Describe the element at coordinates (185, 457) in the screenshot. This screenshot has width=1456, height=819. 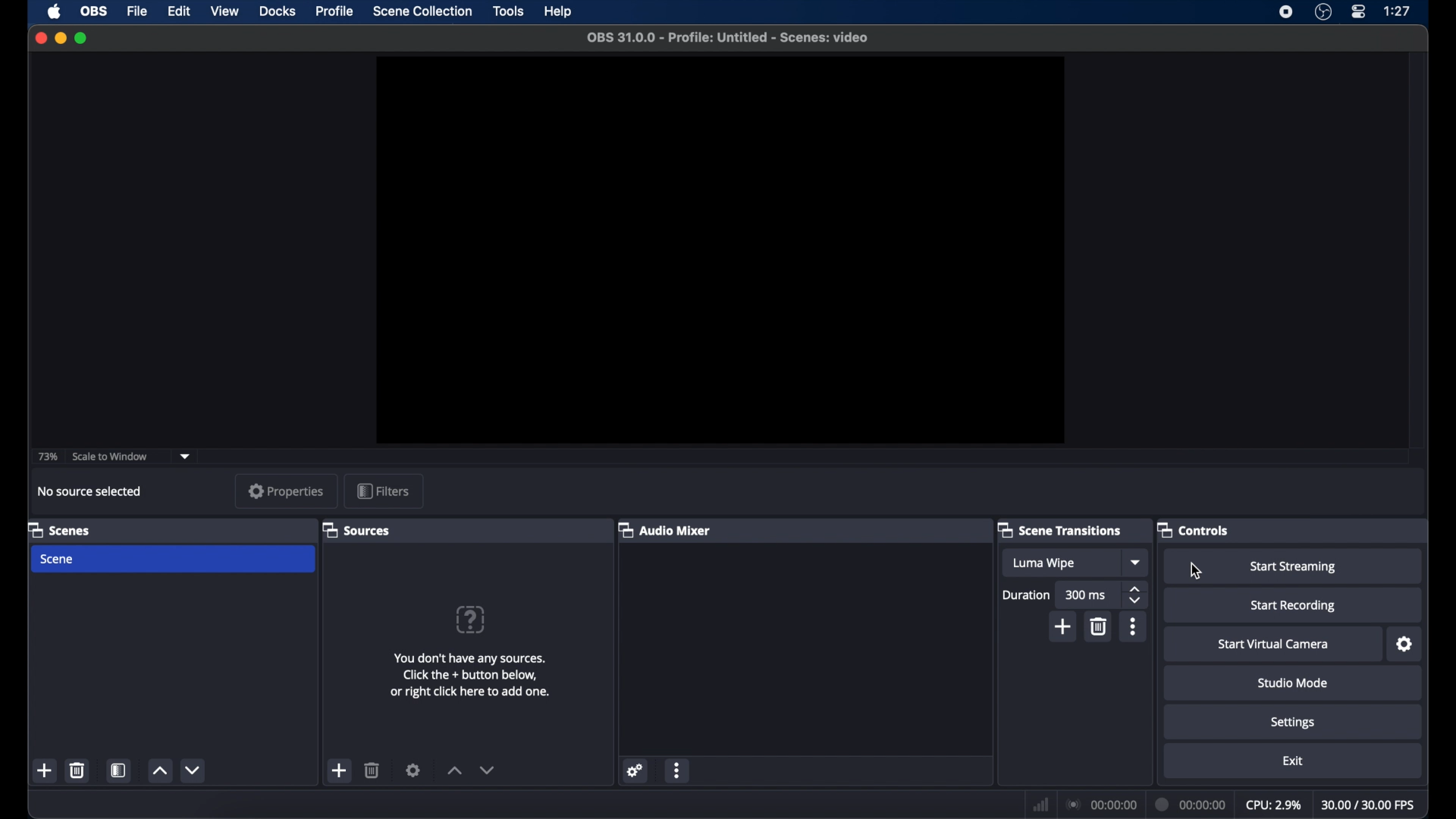
I see `dropdown ` at that location.